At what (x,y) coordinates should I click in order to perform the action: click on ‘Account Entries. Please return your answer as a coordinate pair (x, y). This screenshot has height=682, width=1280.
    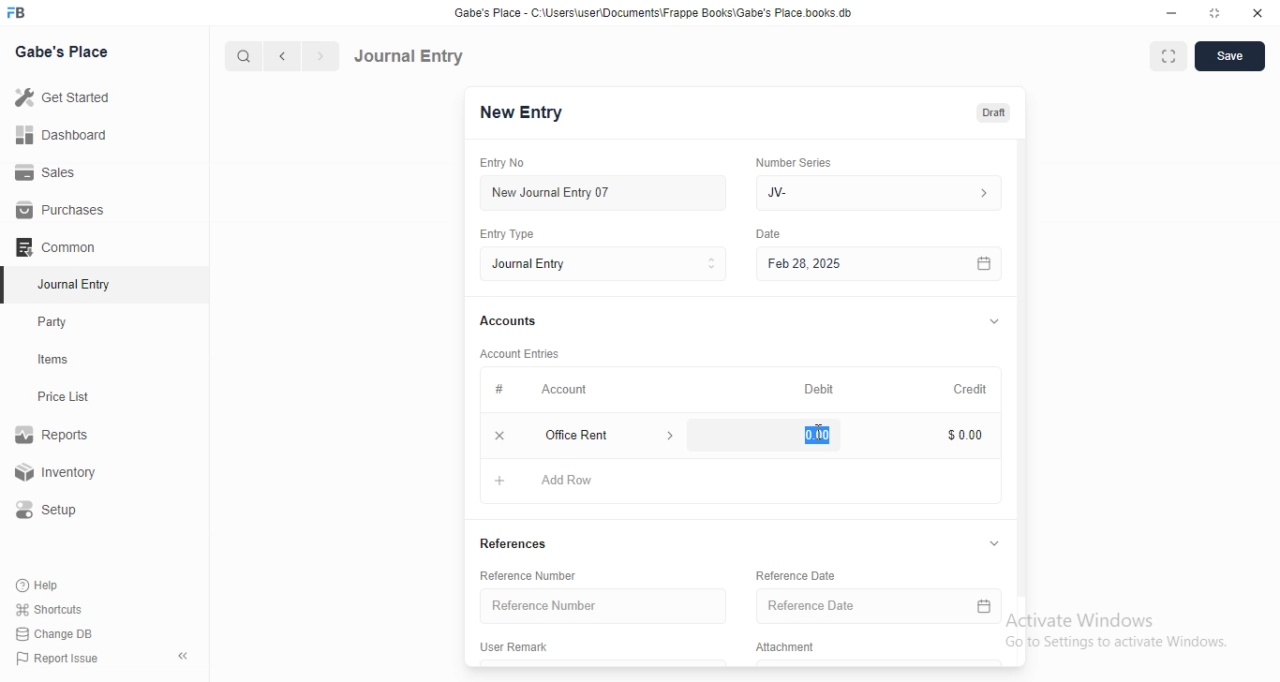
    Looking at the image, I should click on (521, 353).